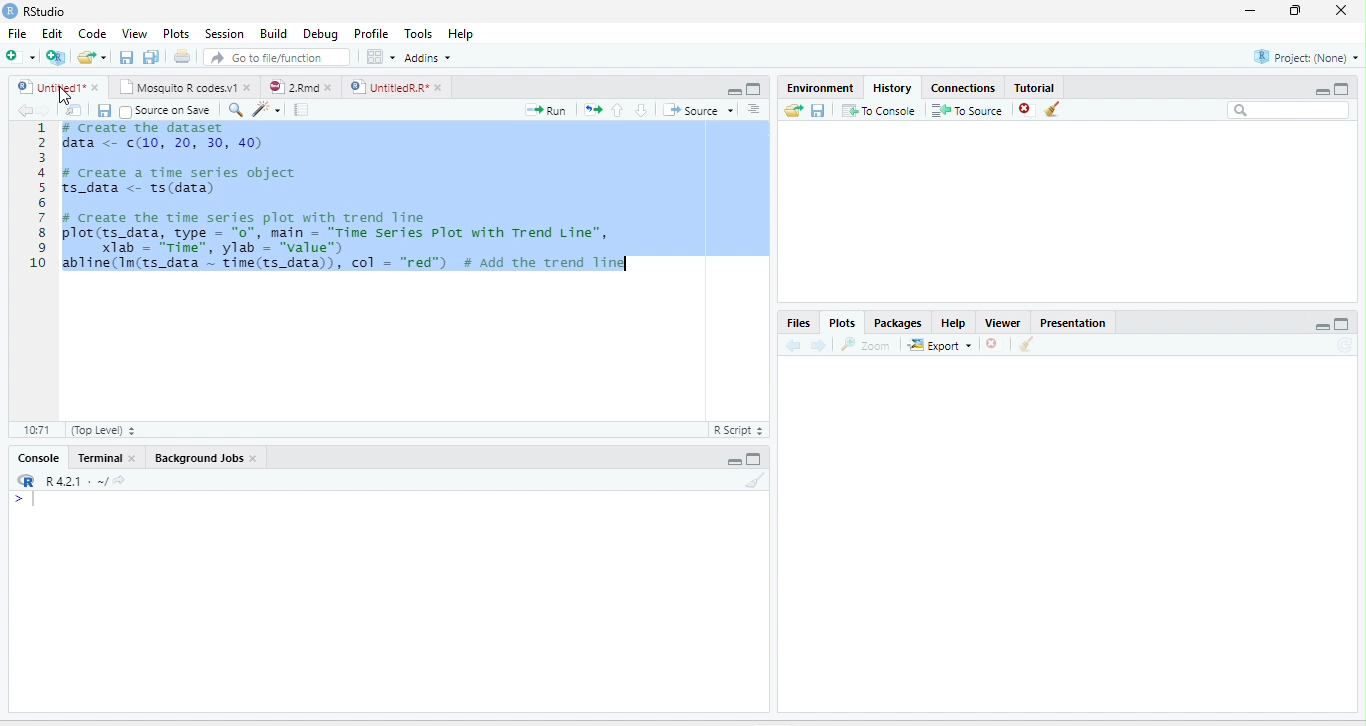 This screenshot has width=1366, height=726. I want to click on Build, so click(273, 33).